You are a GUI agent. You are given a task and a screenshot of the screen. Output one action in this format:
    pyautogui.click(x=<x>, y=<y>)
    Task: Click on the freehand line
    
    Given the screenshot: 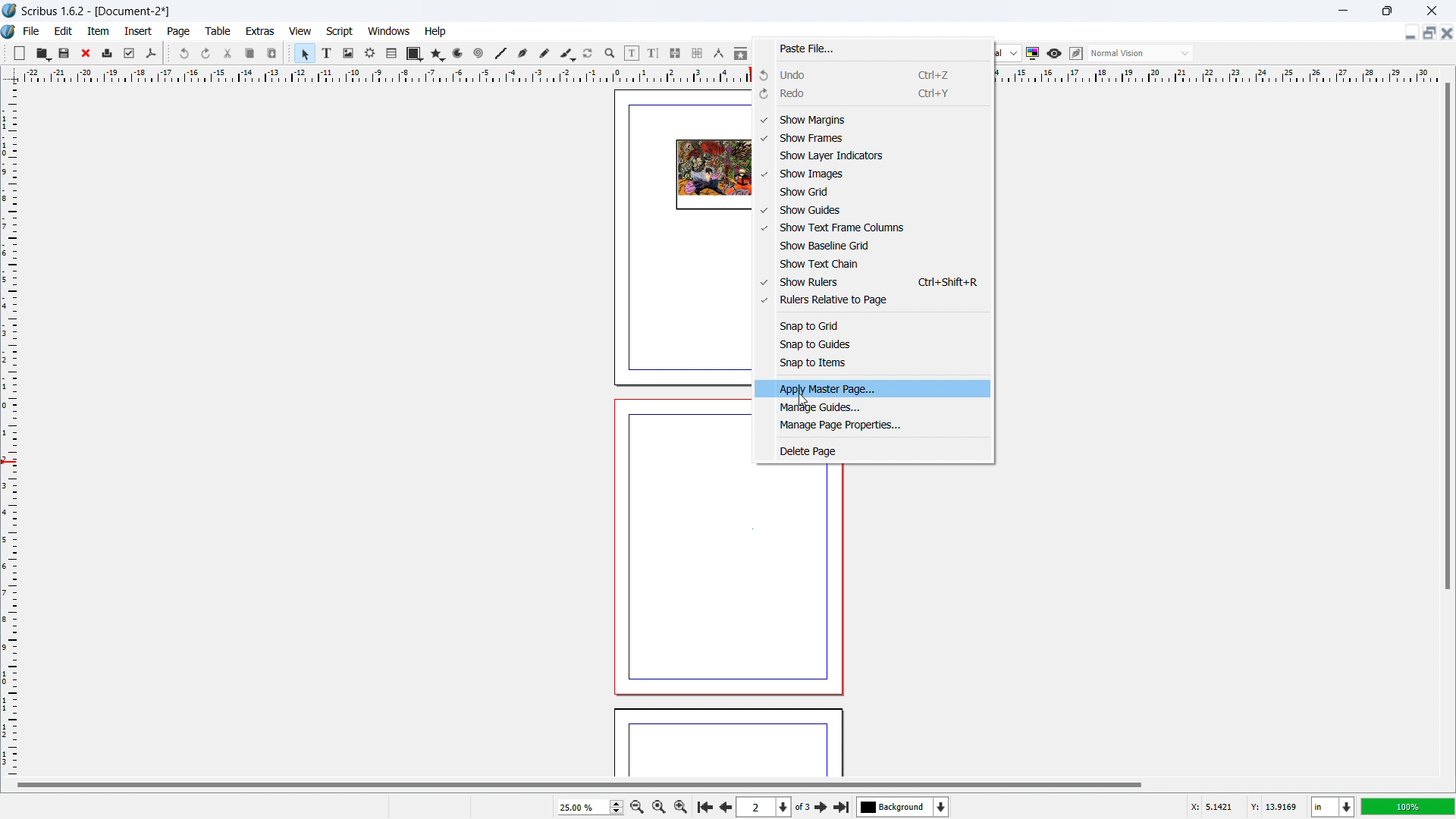 What is the action you would take?
    pyautogui.click(x=545, y=54)
    